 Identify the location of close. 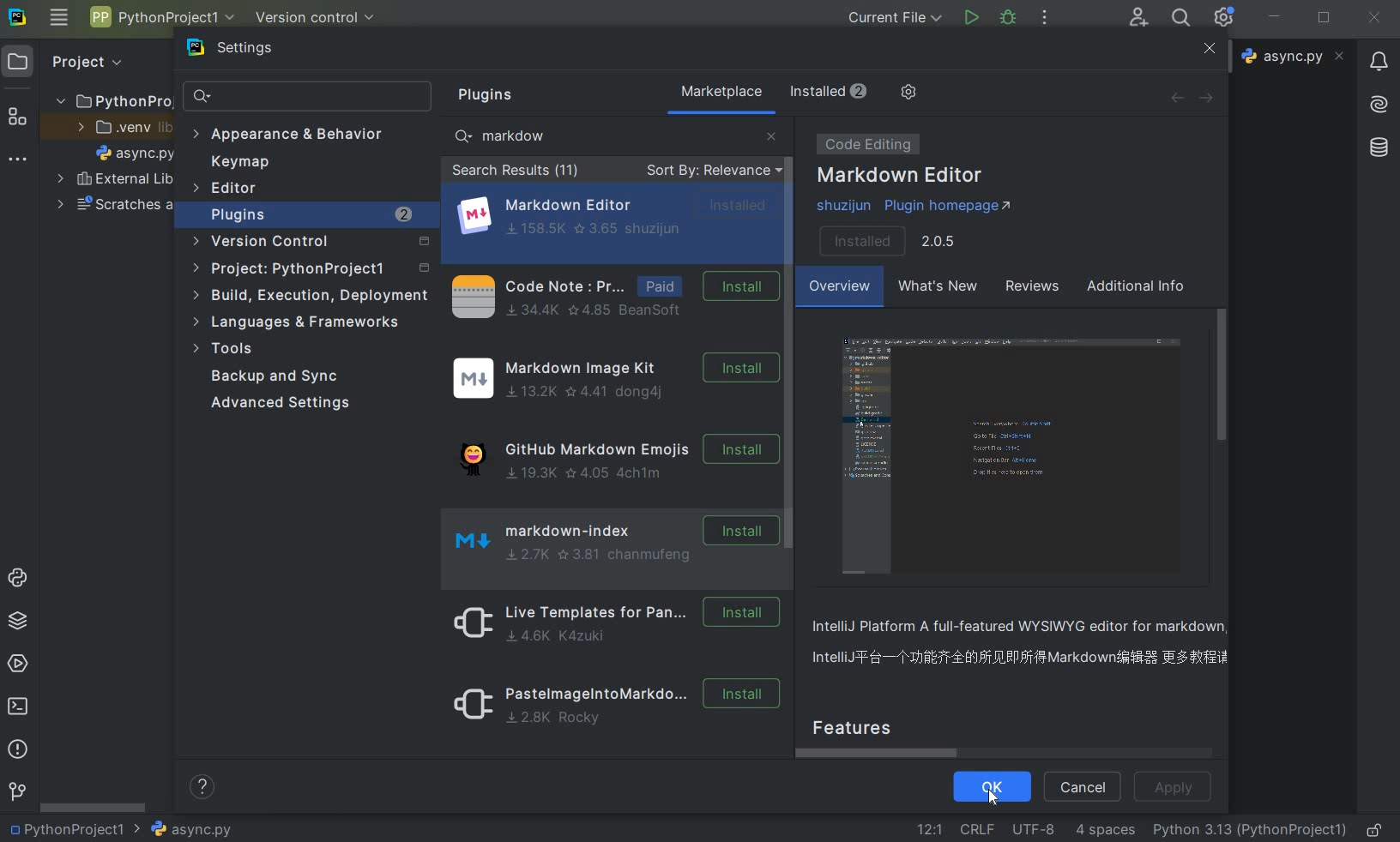
(1375, 19).